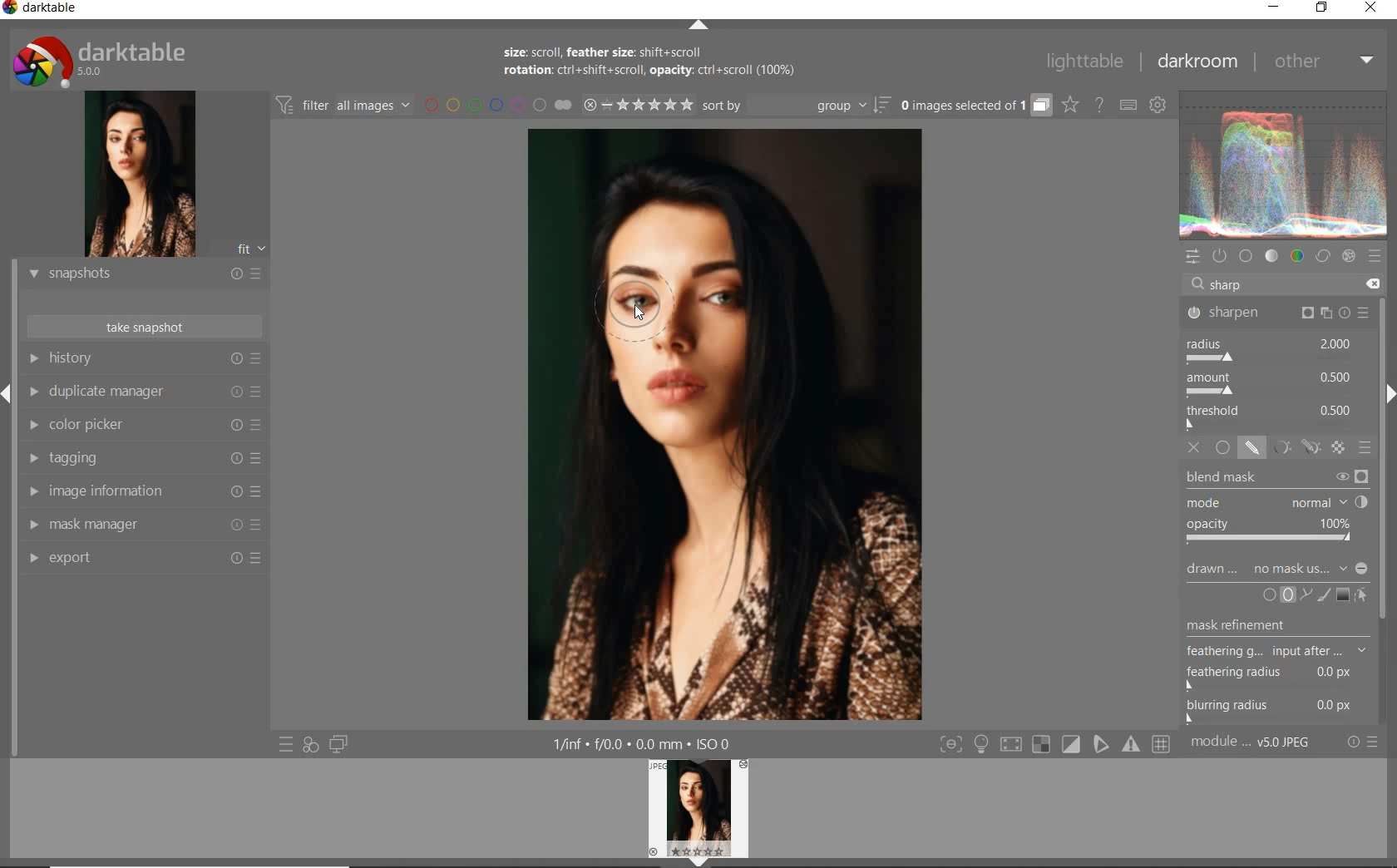 This screenshot has width=1397, height=868. I want to click on blurring radius, so click(1271, 711).